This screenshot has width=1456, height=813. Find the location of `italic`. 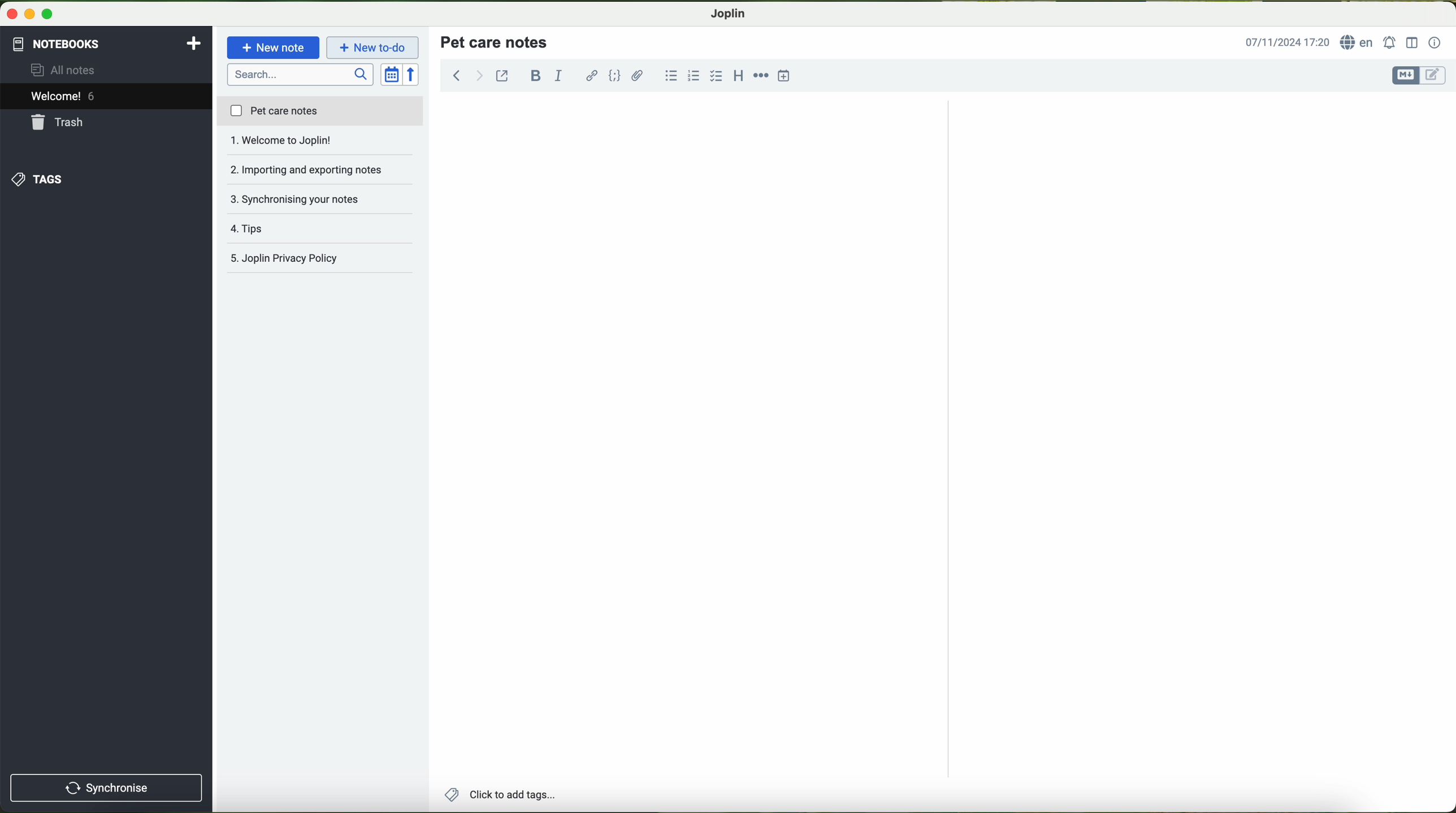

italic is located at coordinates (557, 76).